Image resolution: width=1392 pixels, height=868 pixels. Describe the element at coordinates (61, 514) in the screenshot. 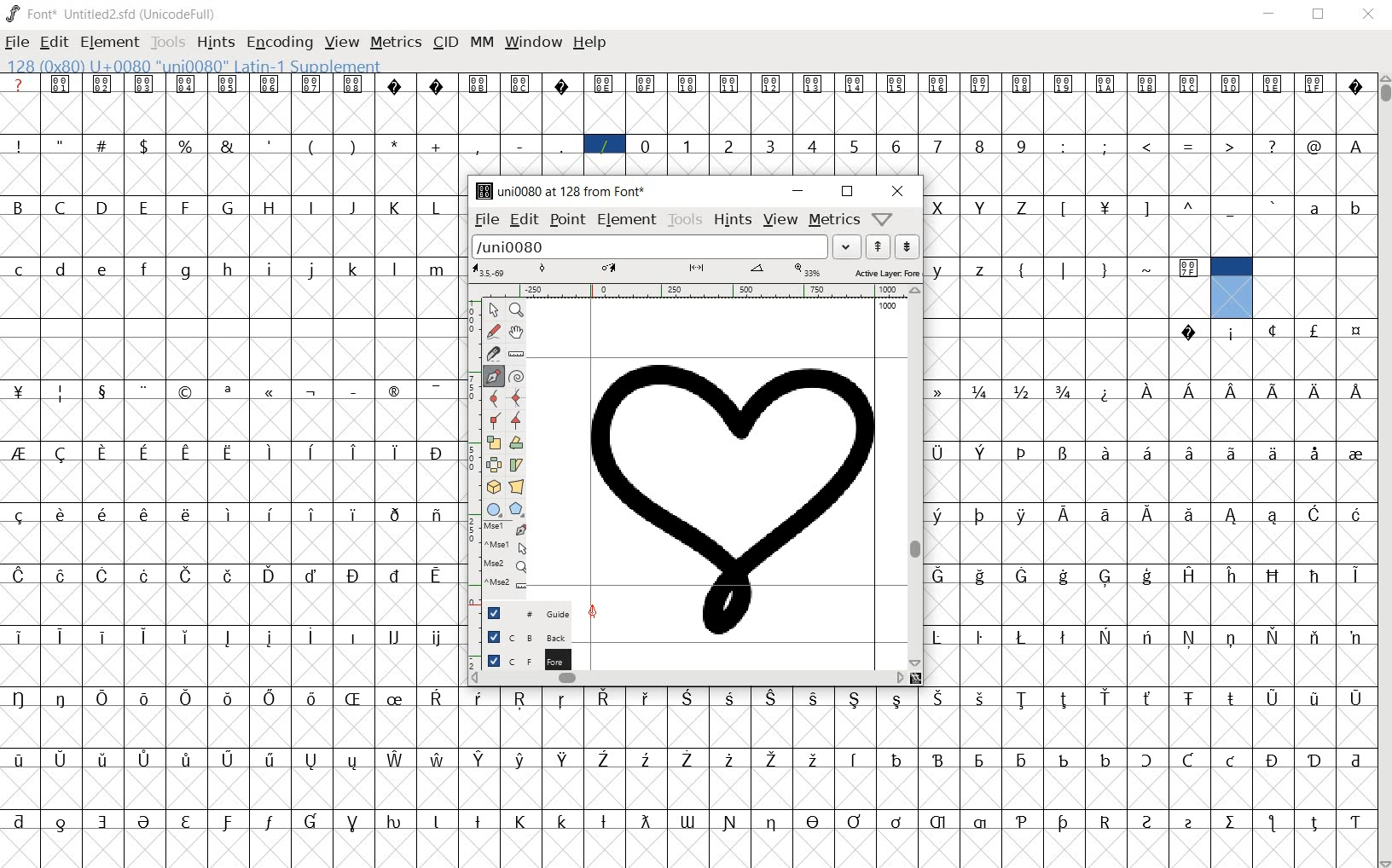

I see `glyph` at that location.